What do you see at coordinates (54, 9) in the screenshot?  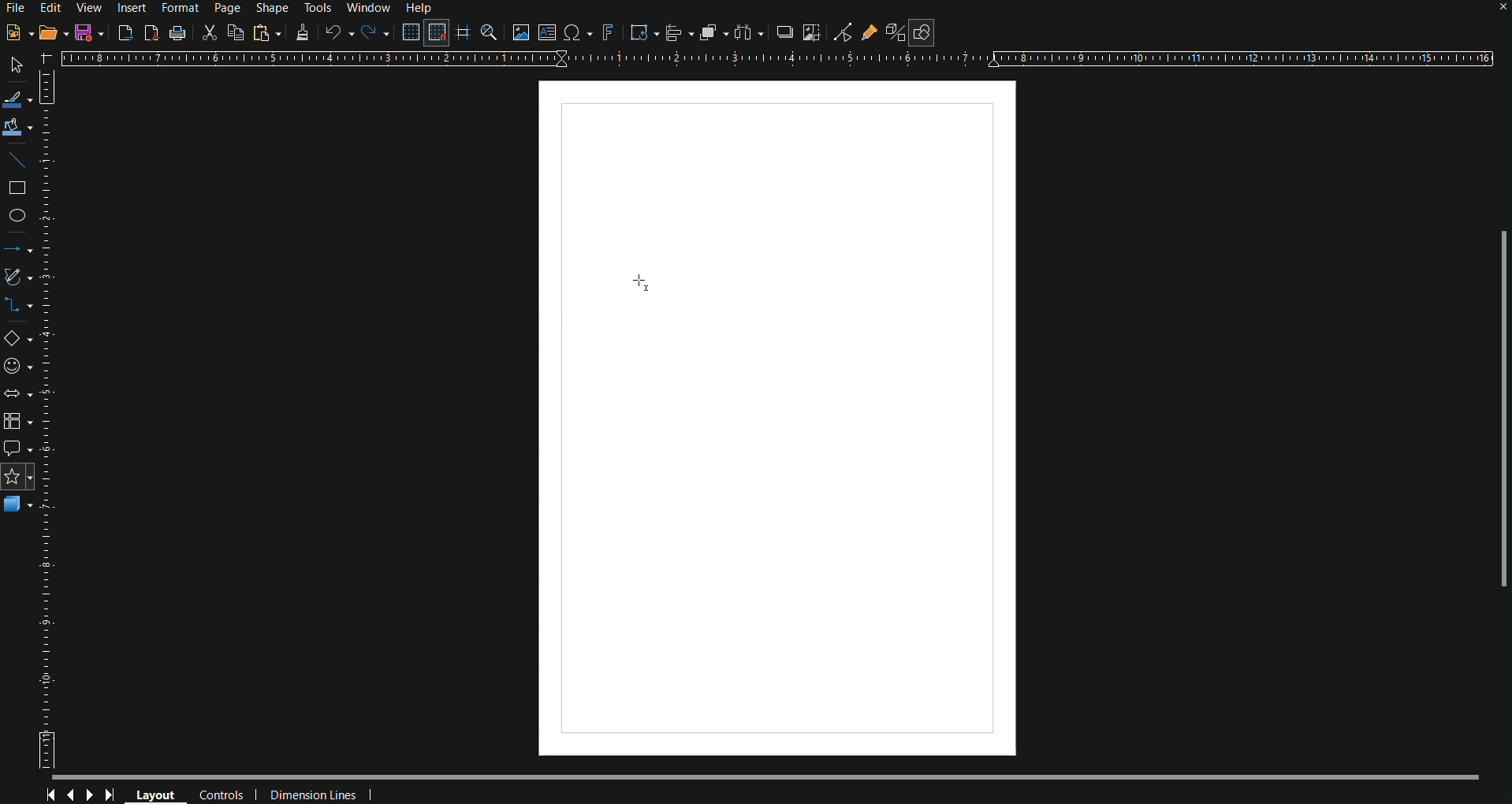 I see `Edit` at bounding box center [54, 9].